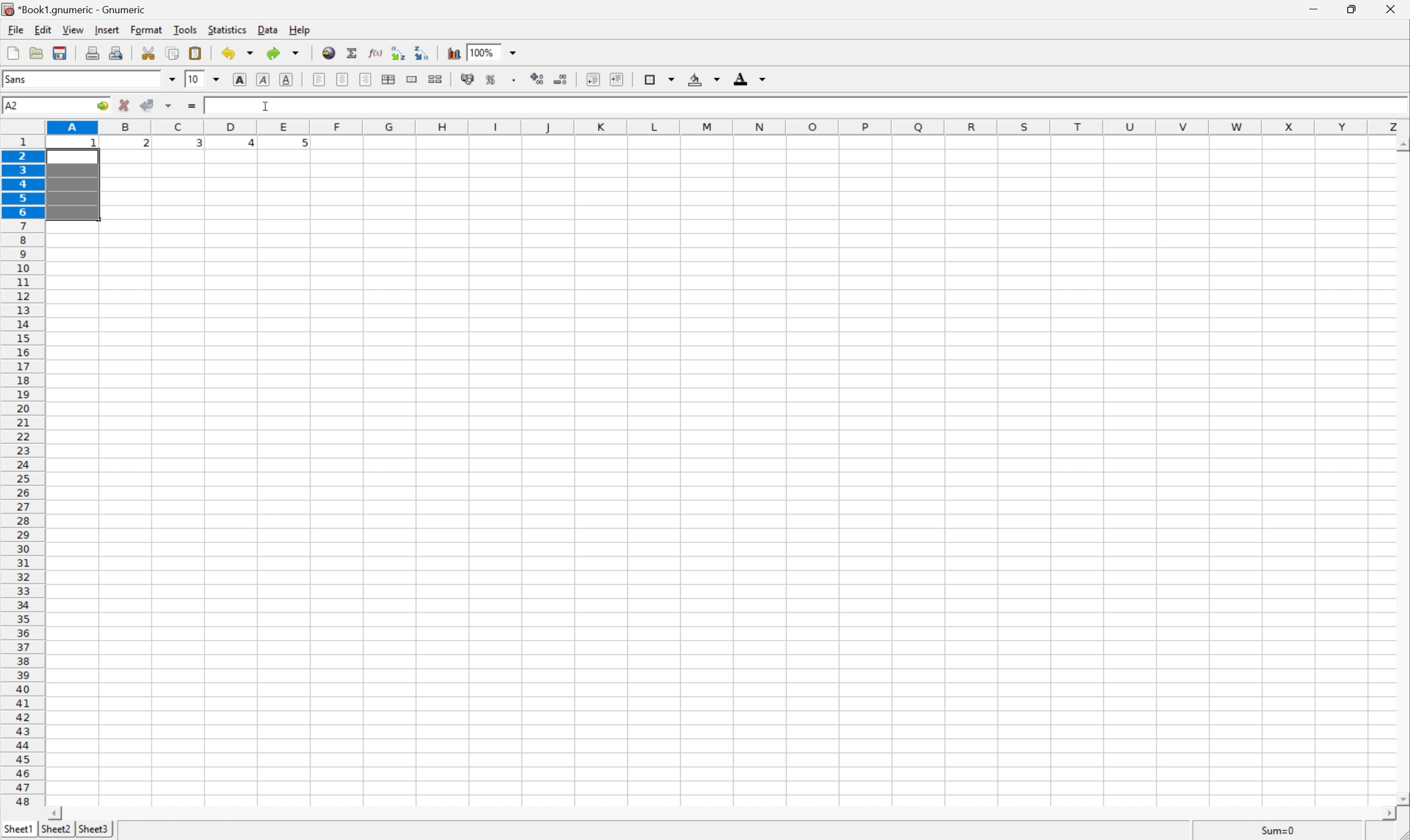  What do you see at coordinates (107, 29) in the screenshot?
I see `insert` at bounding box center [107, 29].